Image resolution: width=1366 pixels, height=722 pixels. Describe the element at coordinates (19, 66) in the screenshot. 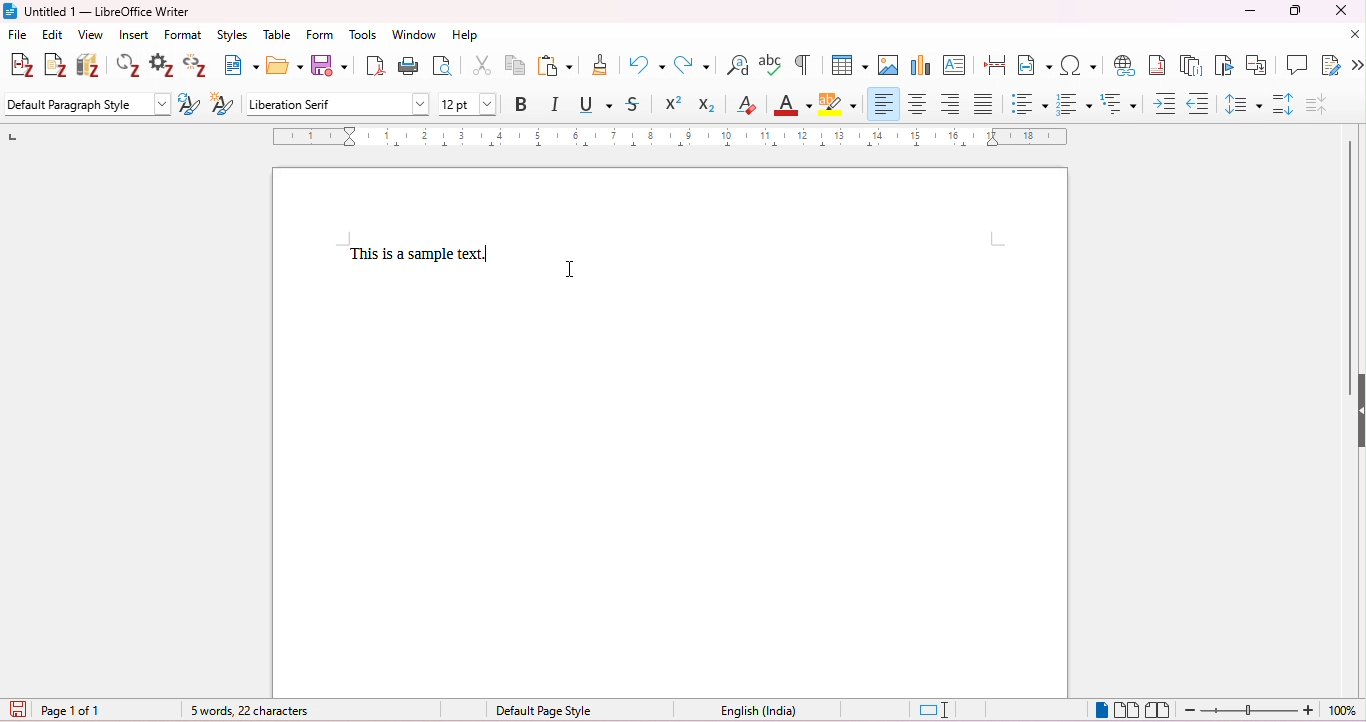

I see `add citations` at that location.